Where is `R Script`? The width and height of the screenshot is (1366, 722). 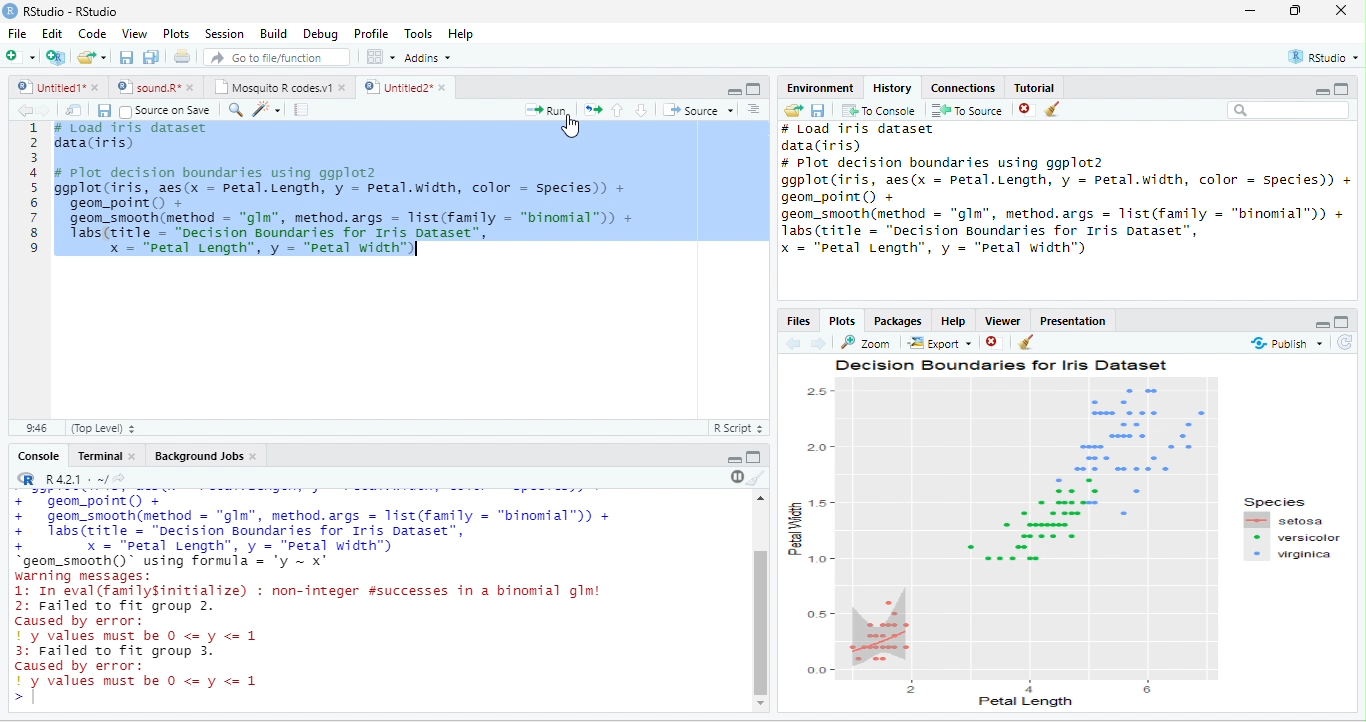
R Script is located at coordinates (737, 428).